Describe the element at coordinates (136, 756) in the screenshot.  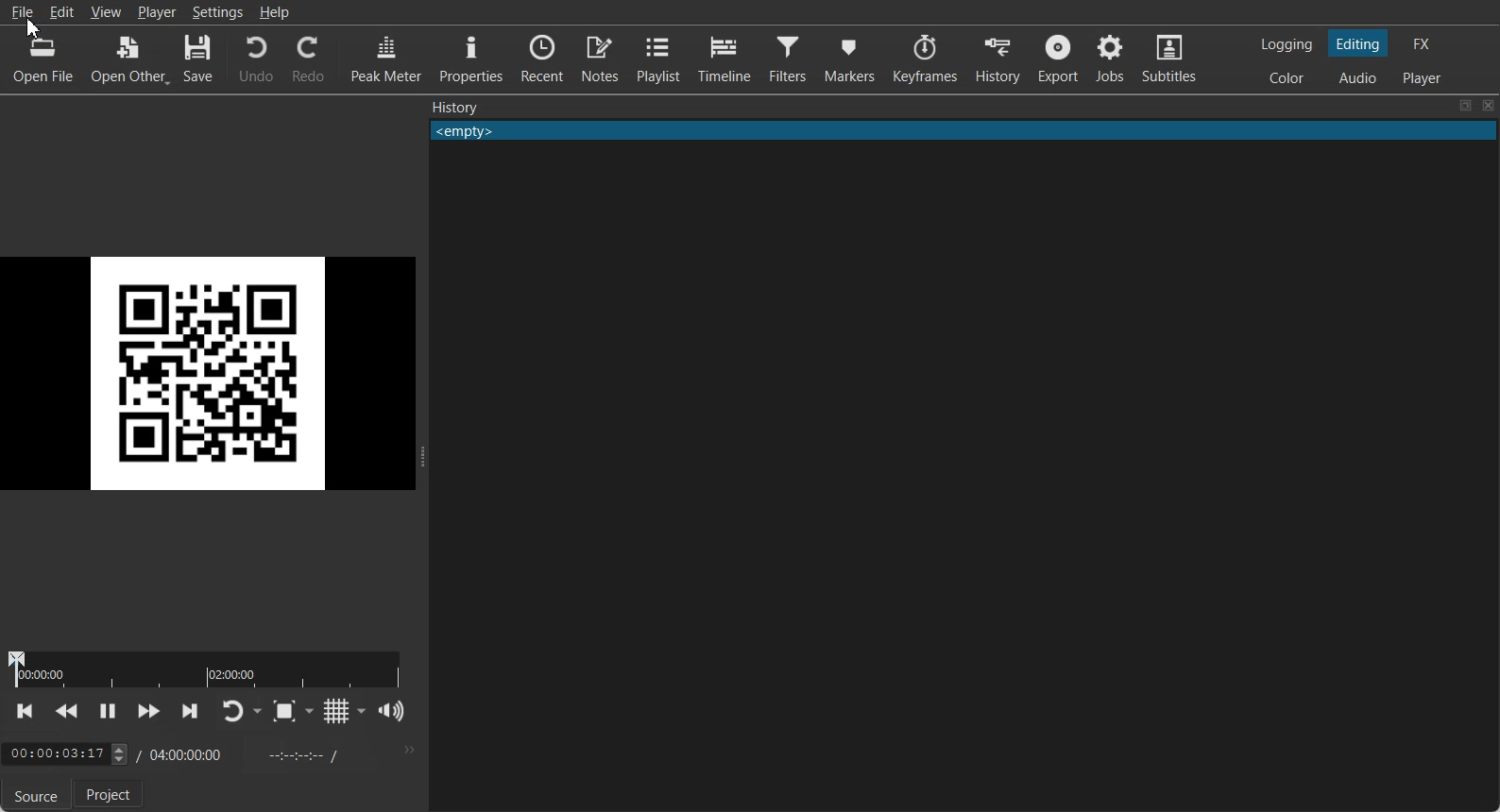
I see `/` at that location.